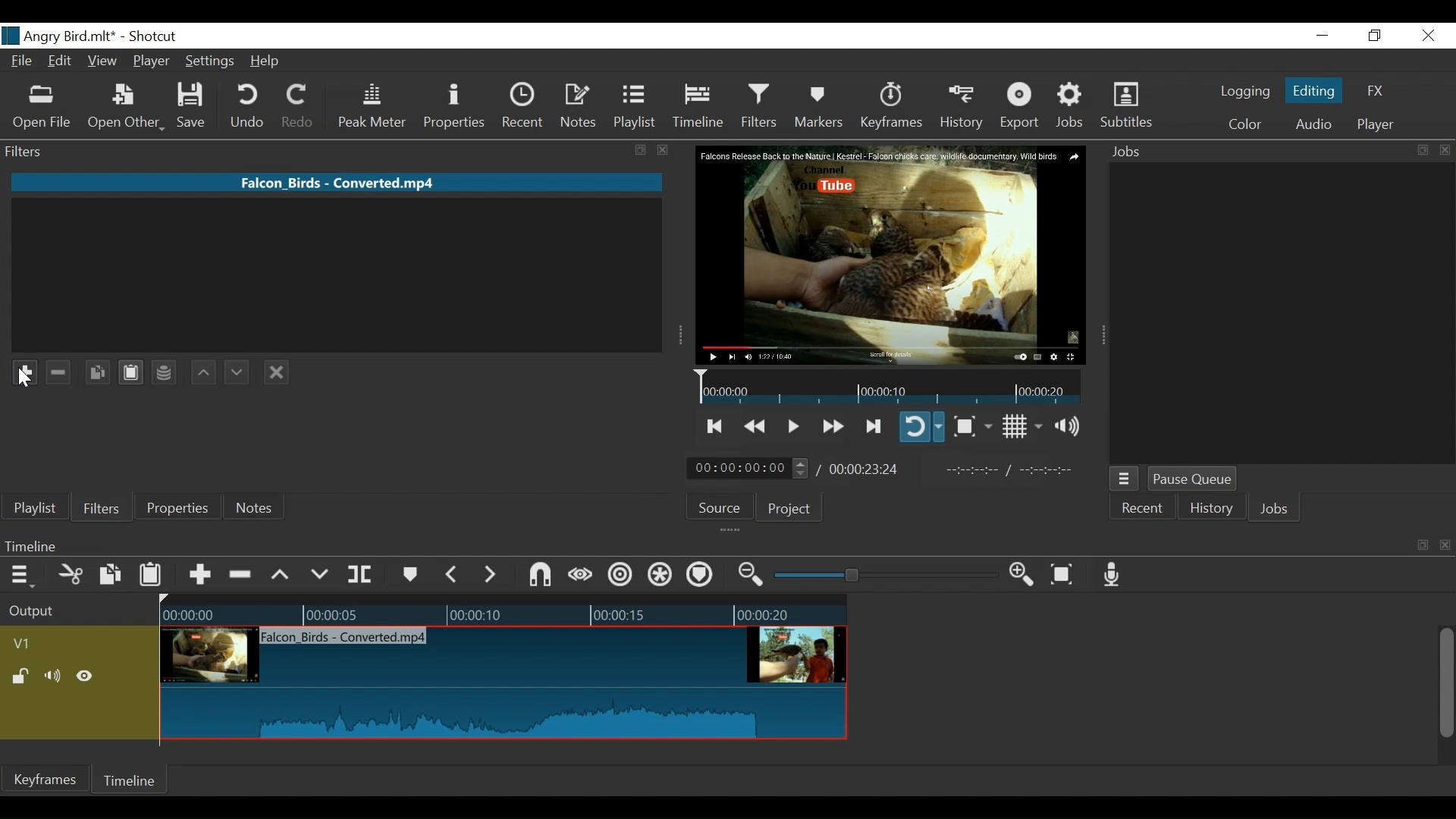  I want to click on Add files to the playlist, so click(152, 469).